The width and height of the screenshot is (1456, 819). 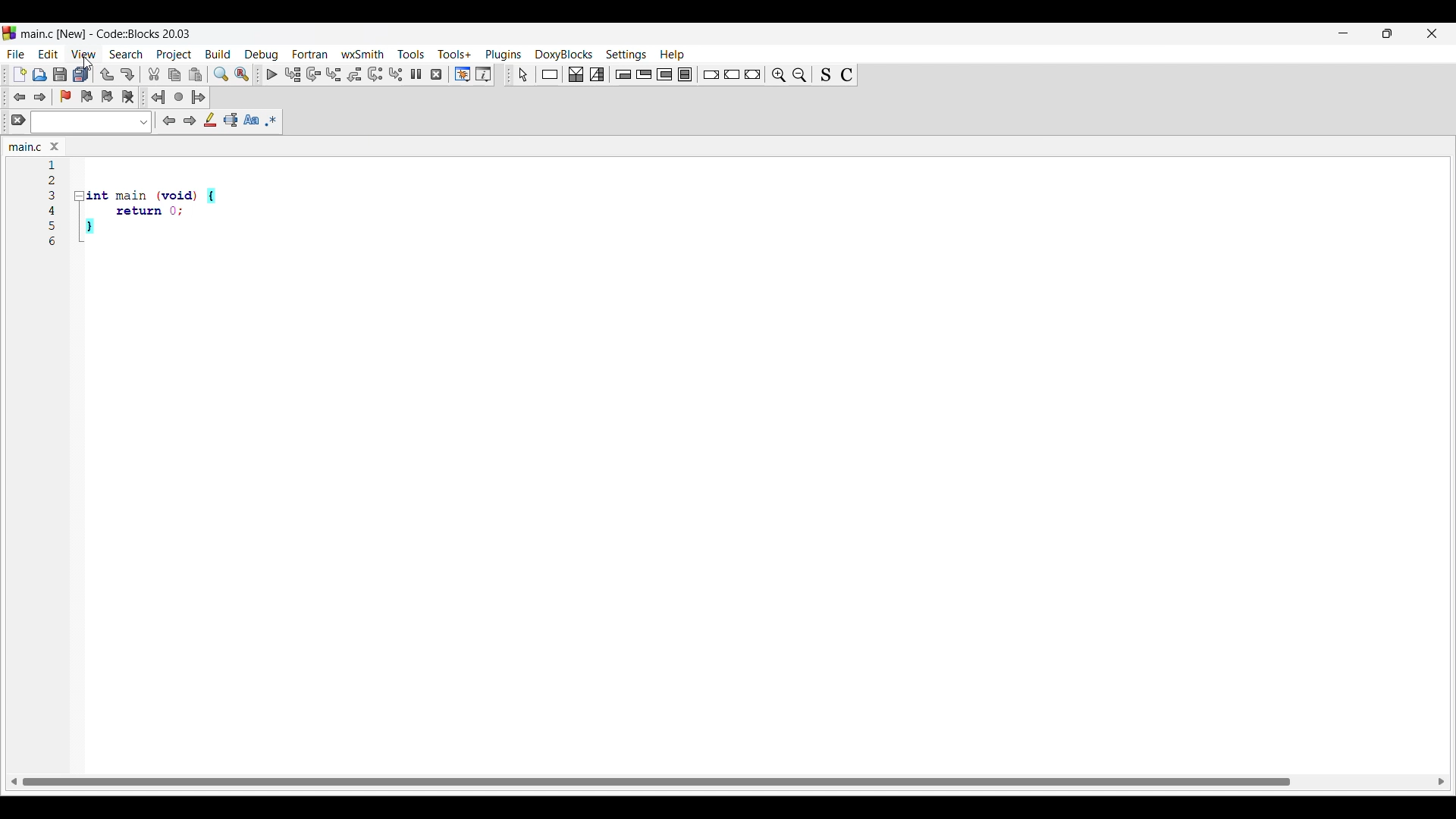 What do you see at coordinates (138, 204) in the screenshot?
I see `Current code` at bounding box center [138, 204].